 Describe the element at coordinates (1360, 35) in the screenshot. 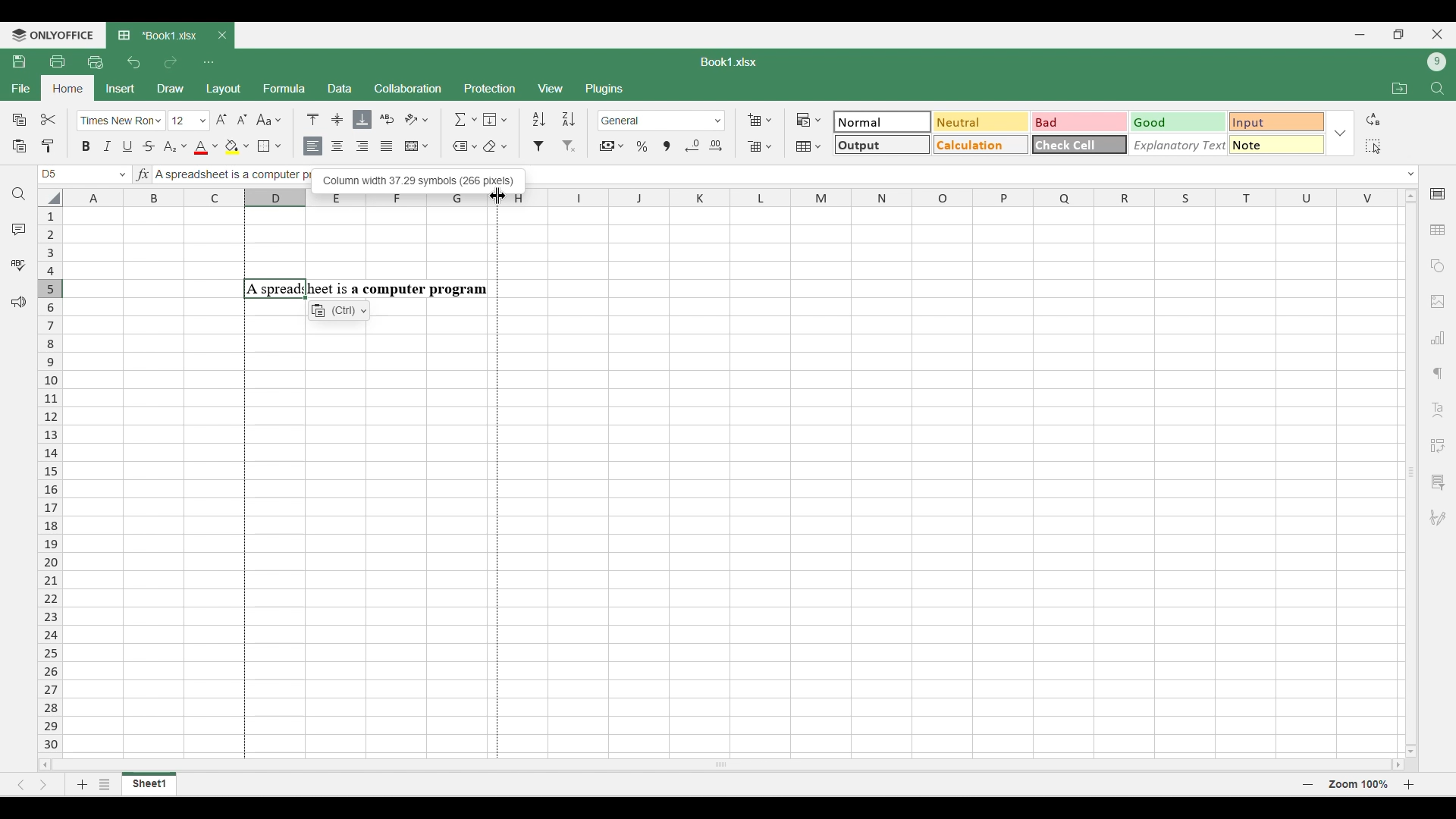

I see `Minimize` at that location.